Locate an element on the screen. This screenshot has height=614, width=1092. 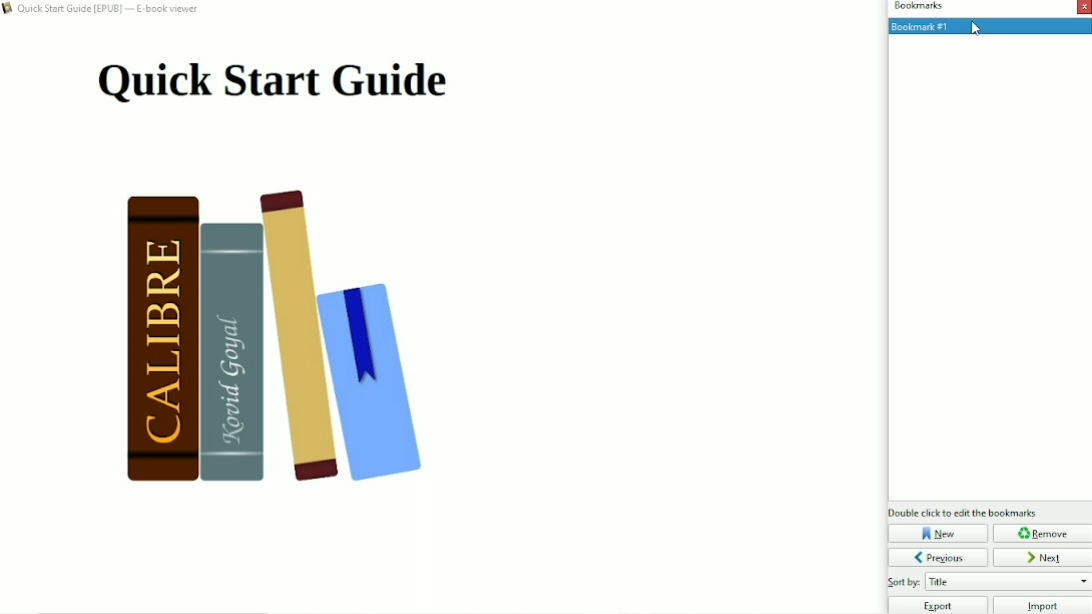
 is located at coordinates (905, 583).